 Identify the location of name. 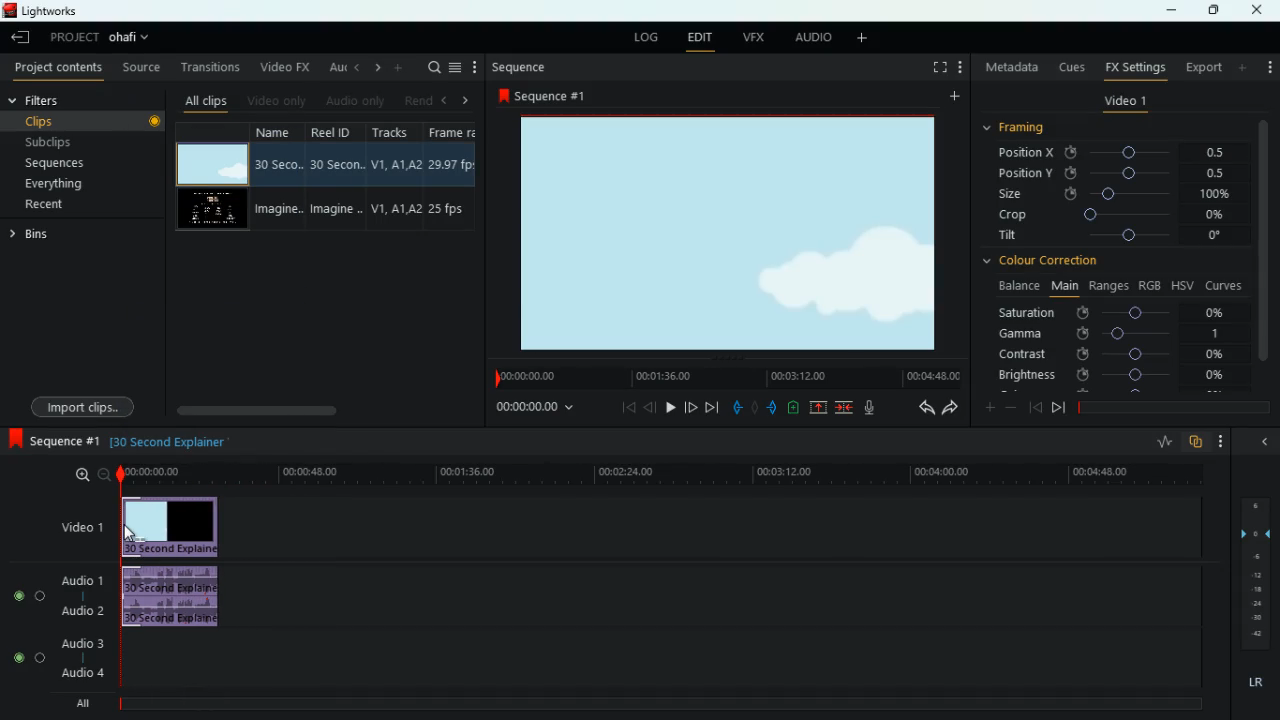
(275, 177).